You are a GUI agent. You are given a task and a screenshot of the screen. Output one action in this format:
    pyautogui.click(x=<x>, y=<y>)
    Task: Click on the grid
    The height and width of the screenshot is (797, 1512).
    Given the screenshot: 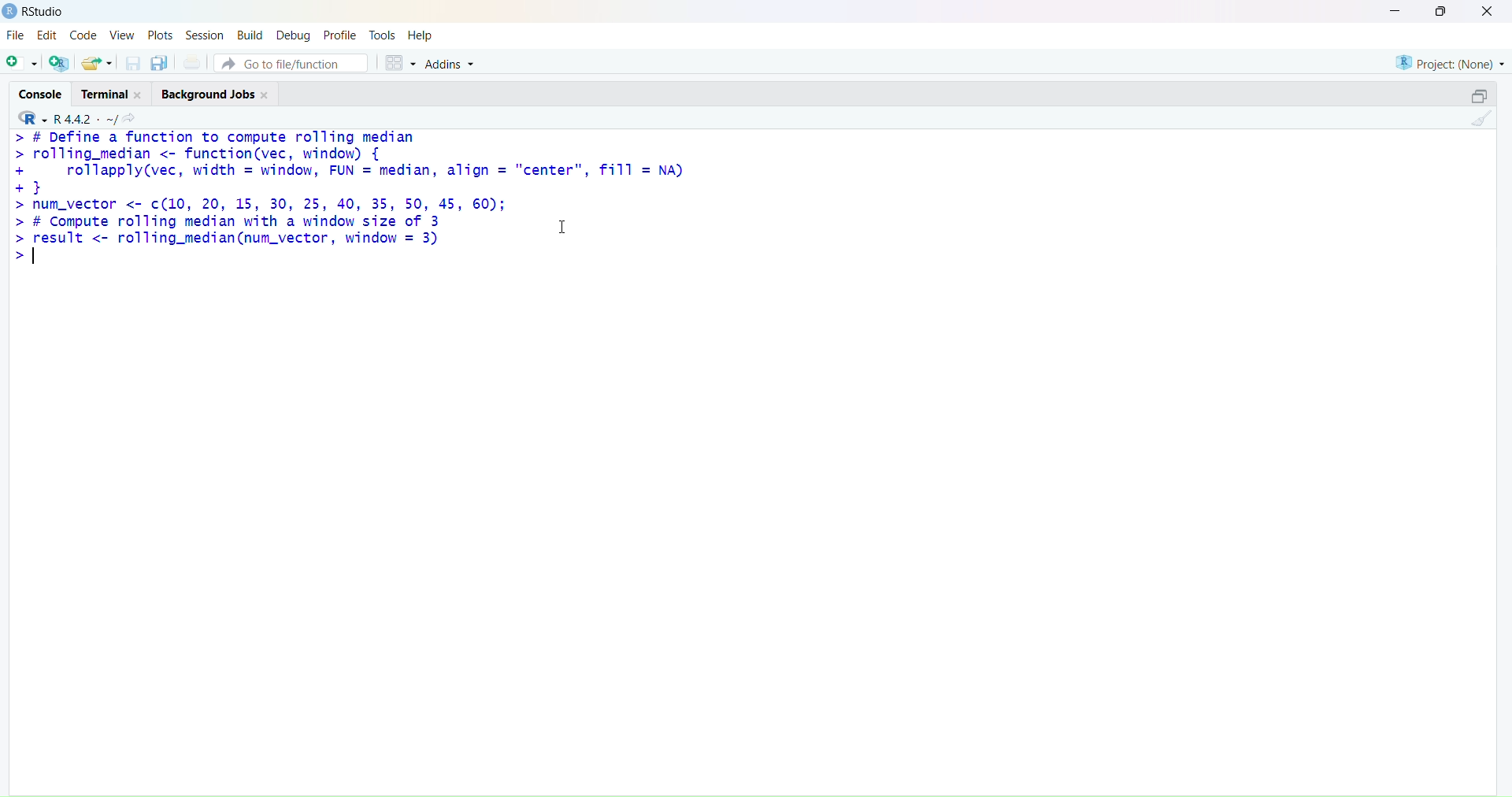 What is the action you would take?
    pyautogui.click(x=402, y=63)
    